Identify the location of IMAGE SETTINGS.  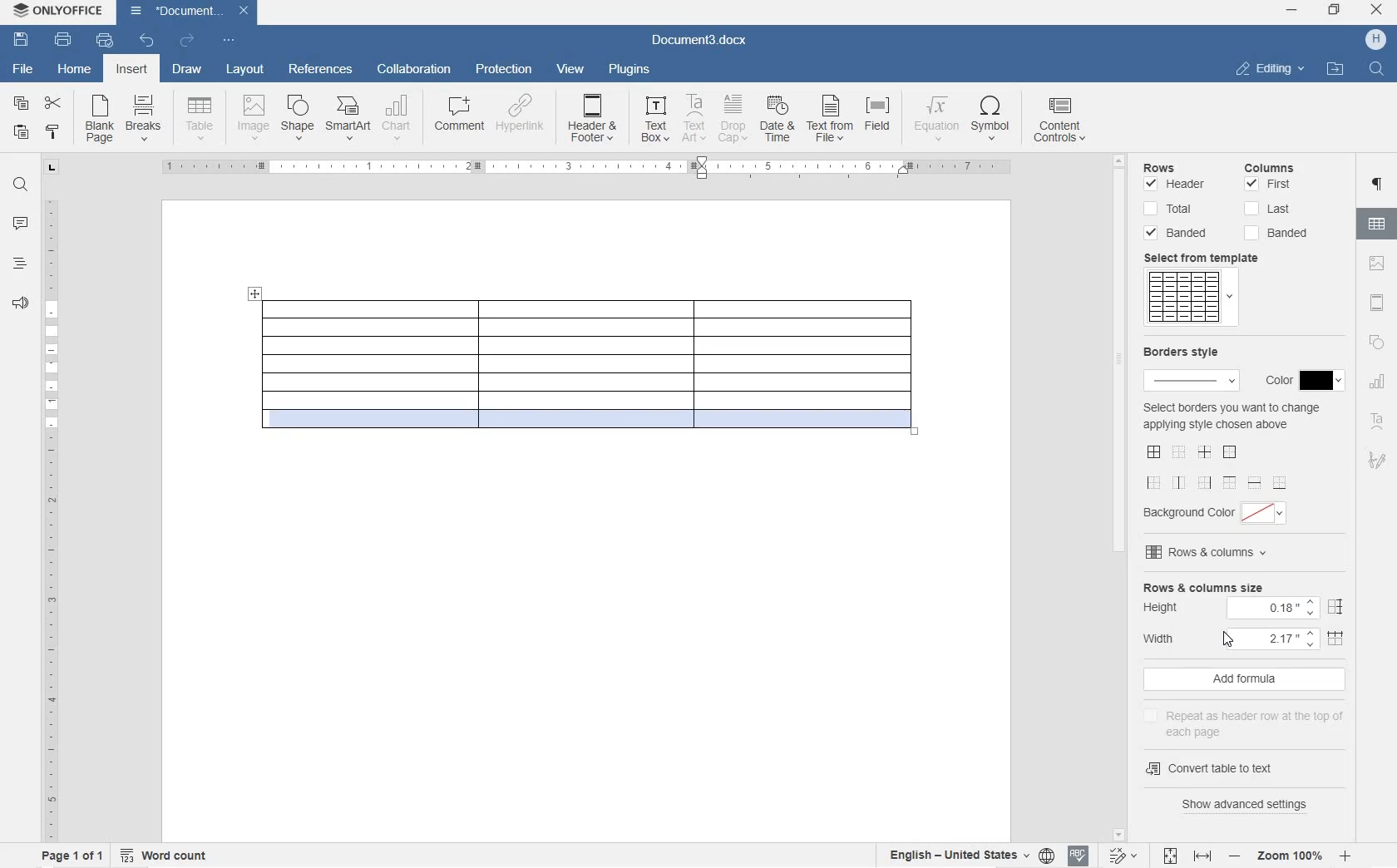
(1379, 264).